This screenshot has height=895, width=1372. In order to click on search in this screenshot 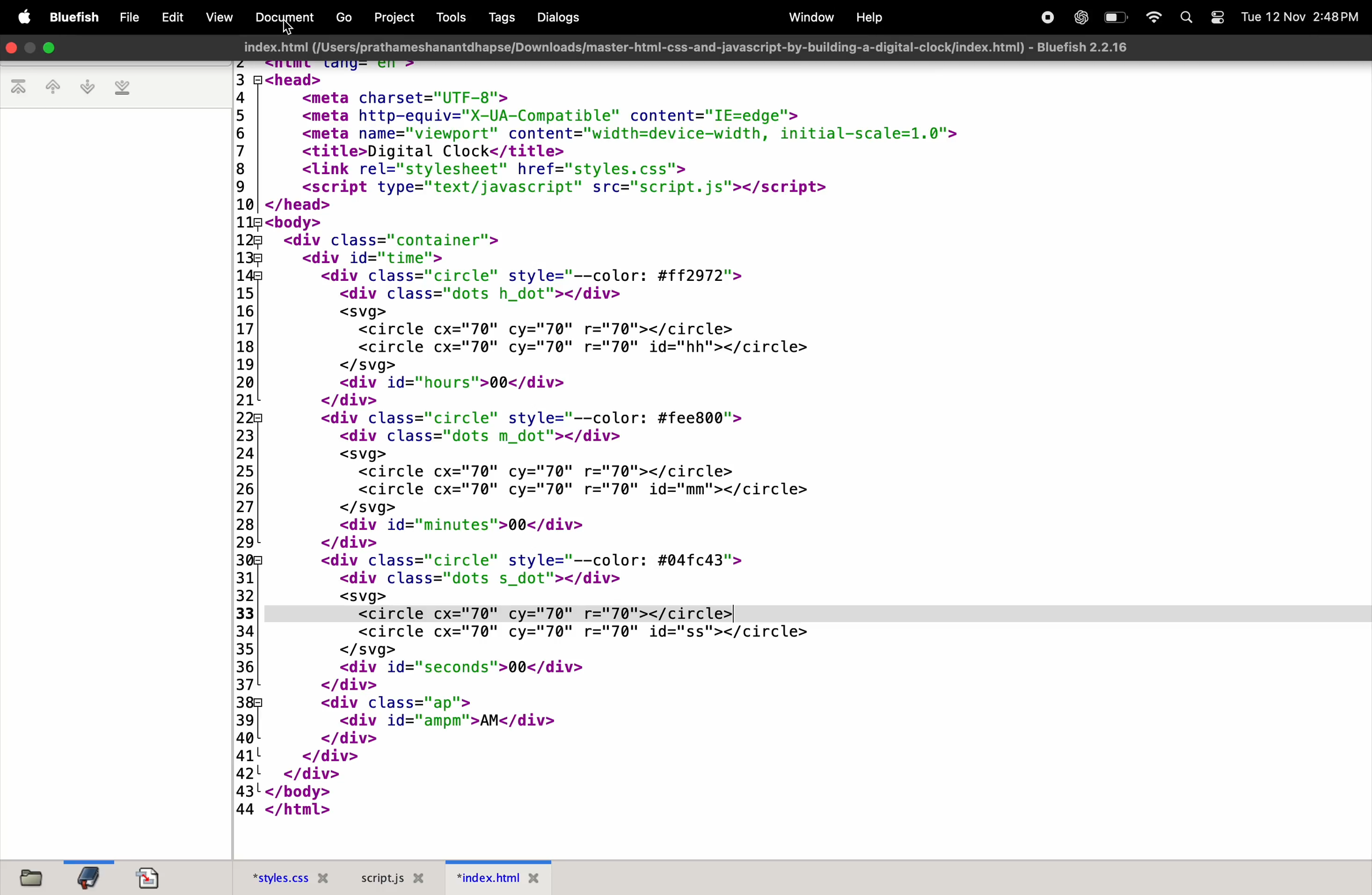, I will do `click(1187, 19)`.